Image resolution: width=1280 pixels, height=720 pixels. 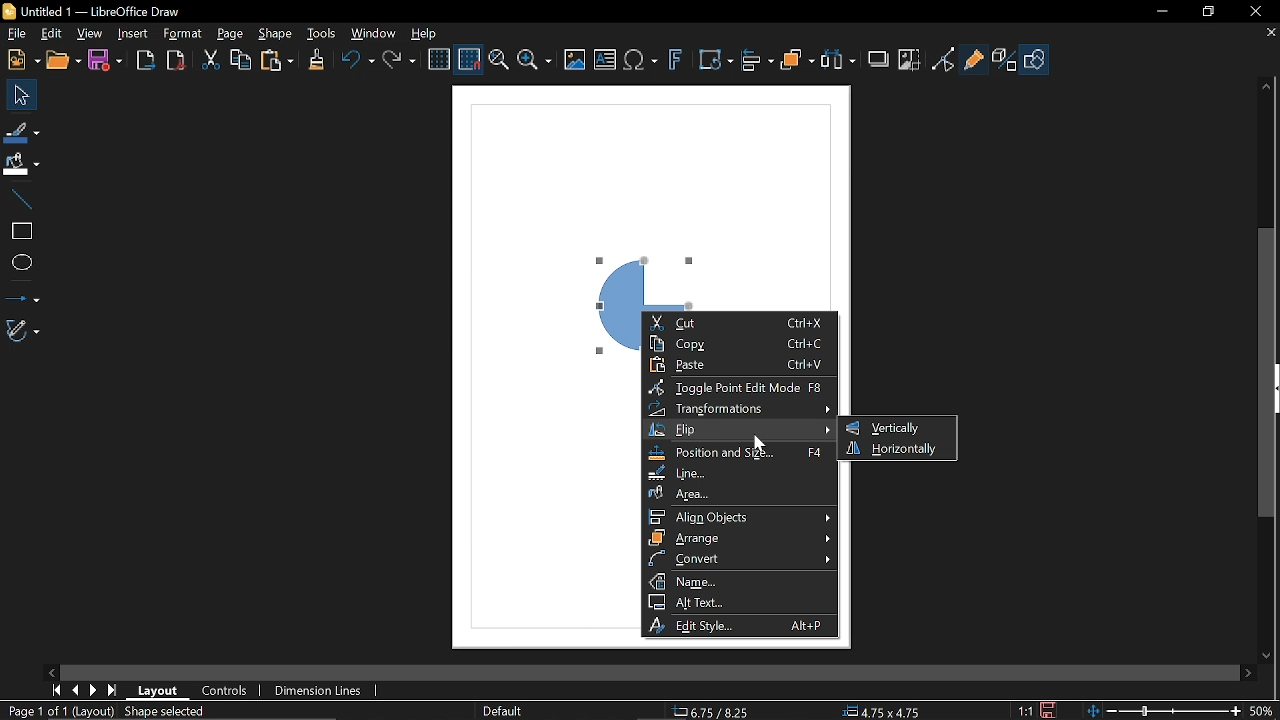 I want to click on Cut, so click(x=212, y=60).